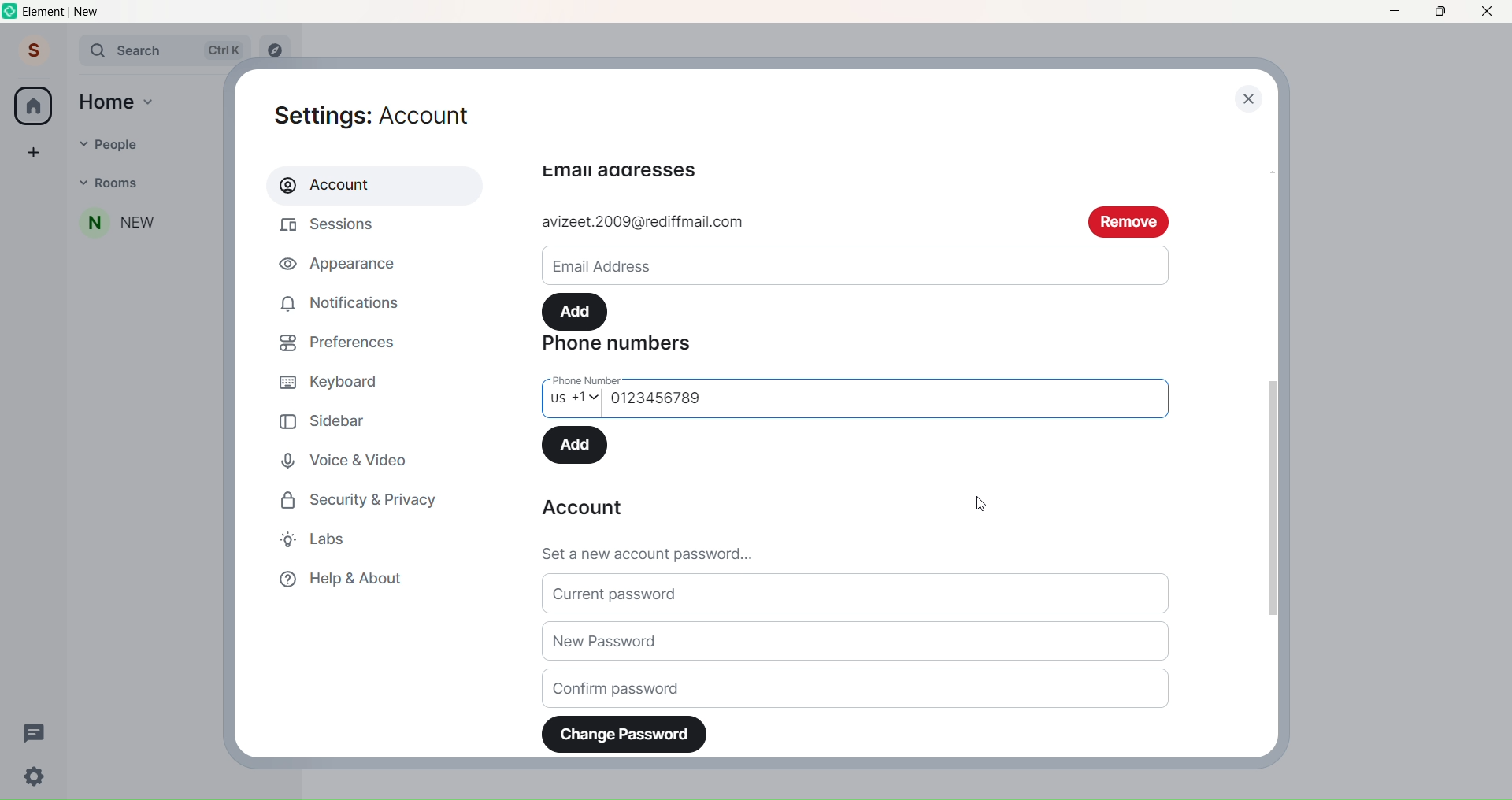 This screenshot has height=800, width=1512. I want to click on Expand, so click(66, 52).